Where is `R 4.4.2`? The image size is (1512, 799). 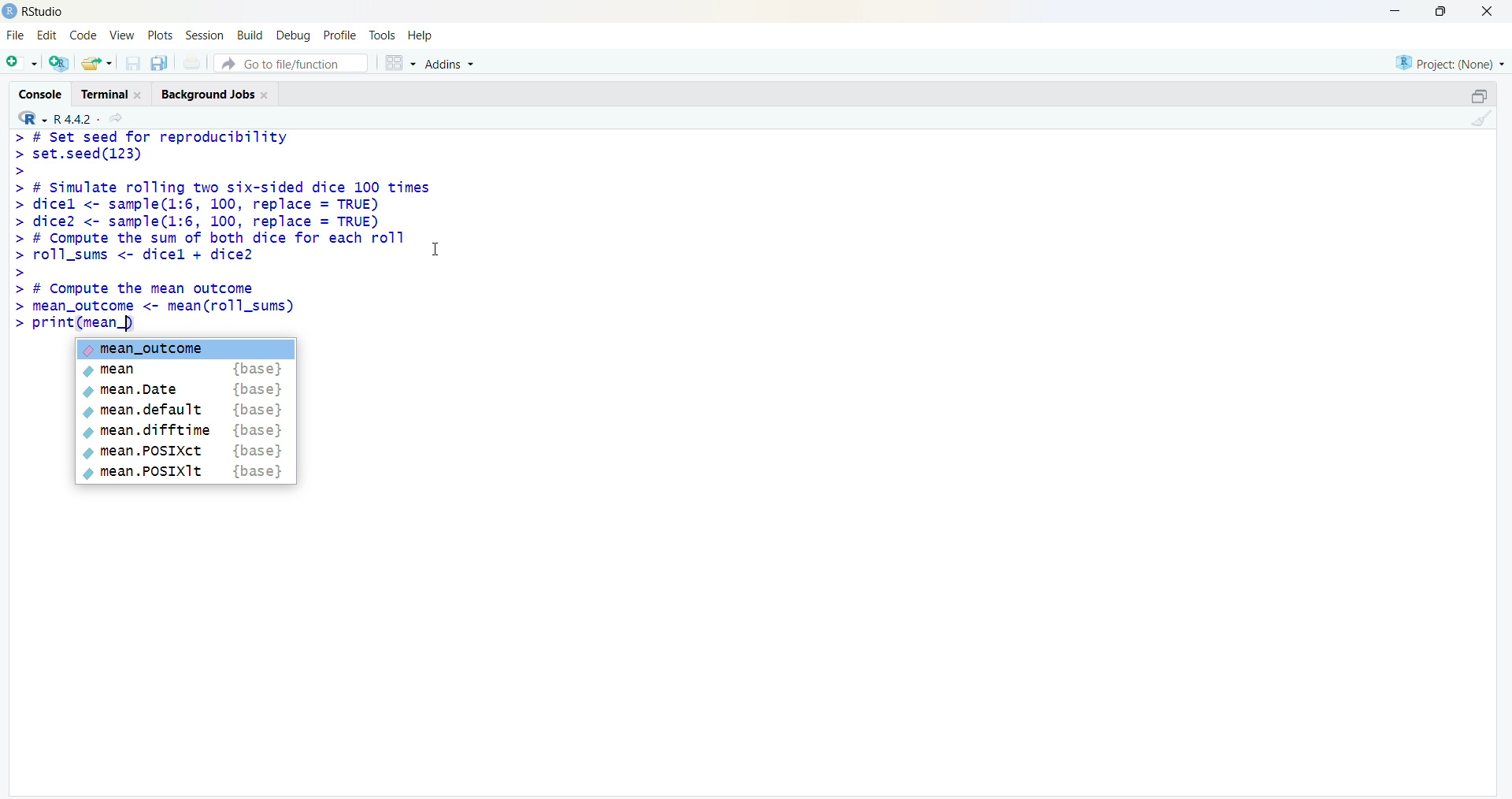 R 4.4.2 is located at coordinates (77, 120).